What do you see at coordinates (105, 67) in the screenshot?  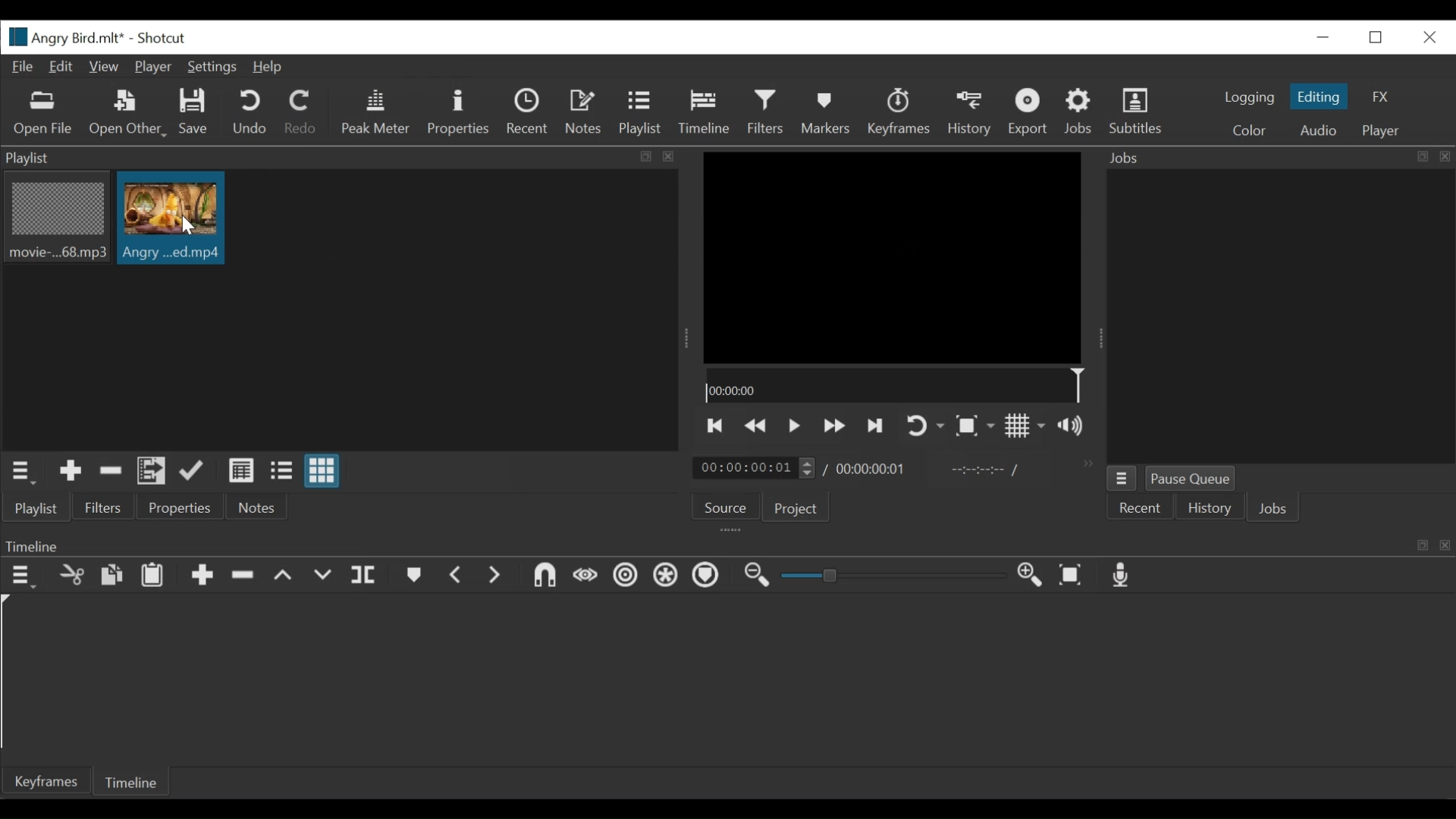 I see `View` at bounding box center [105, 67].